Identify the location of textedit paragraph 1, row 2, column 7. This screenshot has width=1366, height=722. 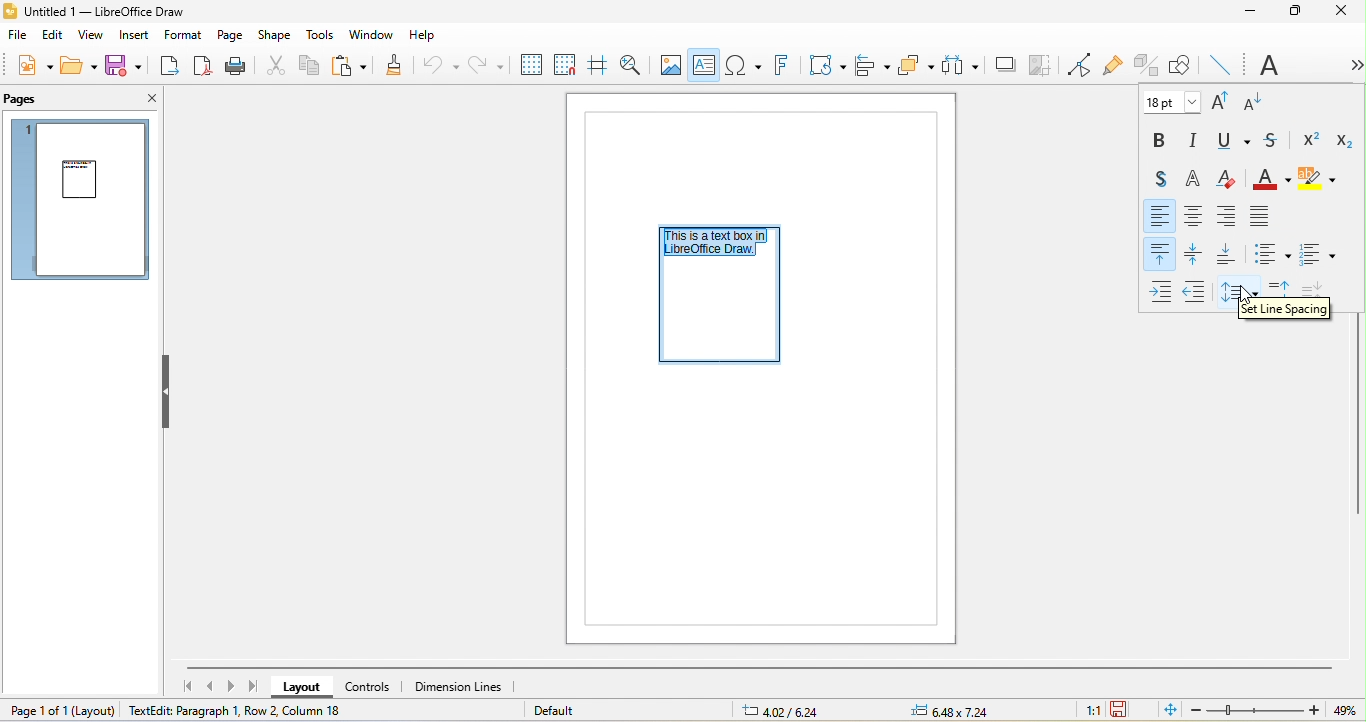
(239, 710).